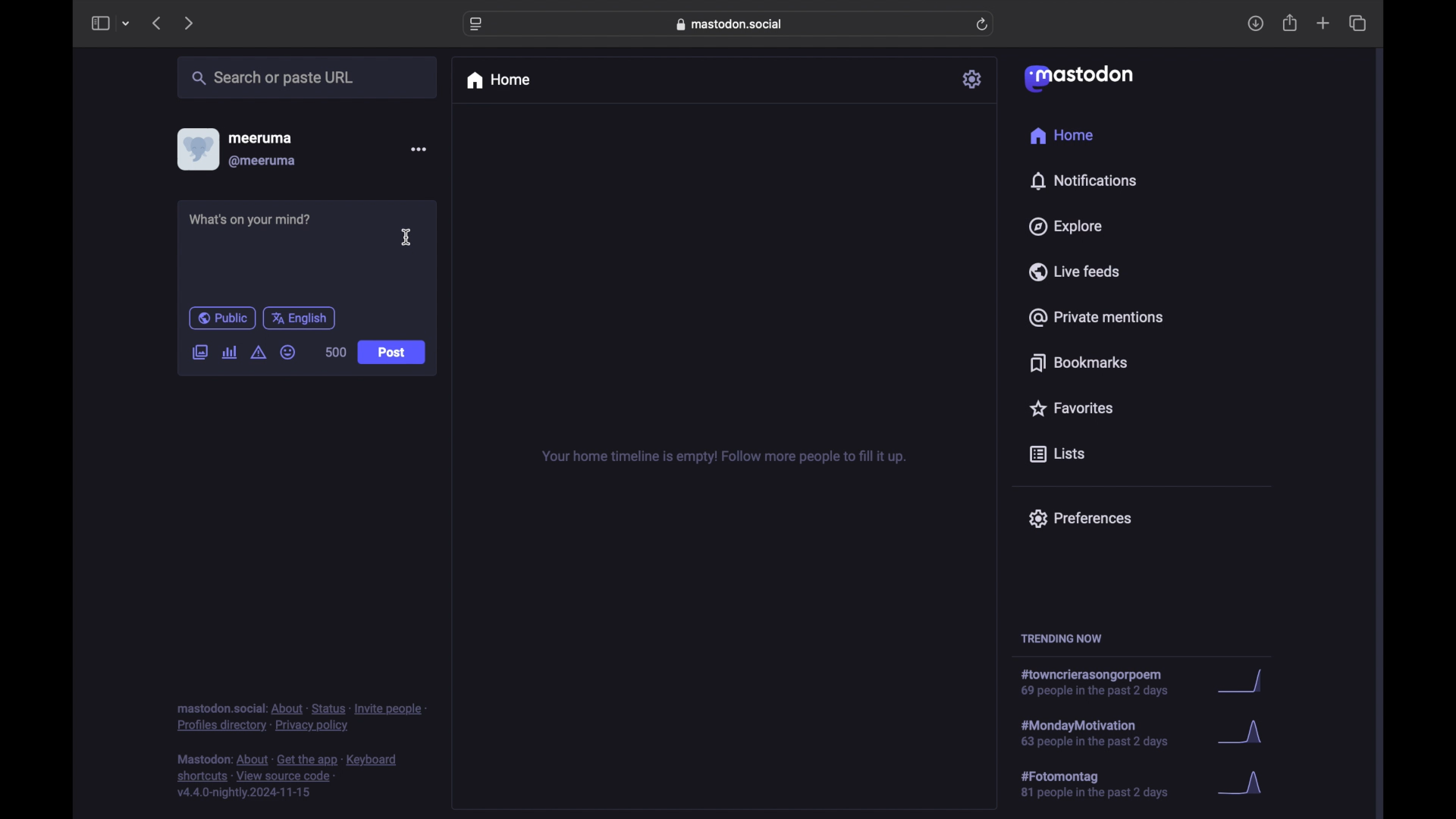  What do you see at coordinates (1083, 180) in the screenshot?
I see `notifications` at bounding box center [1083, 180].